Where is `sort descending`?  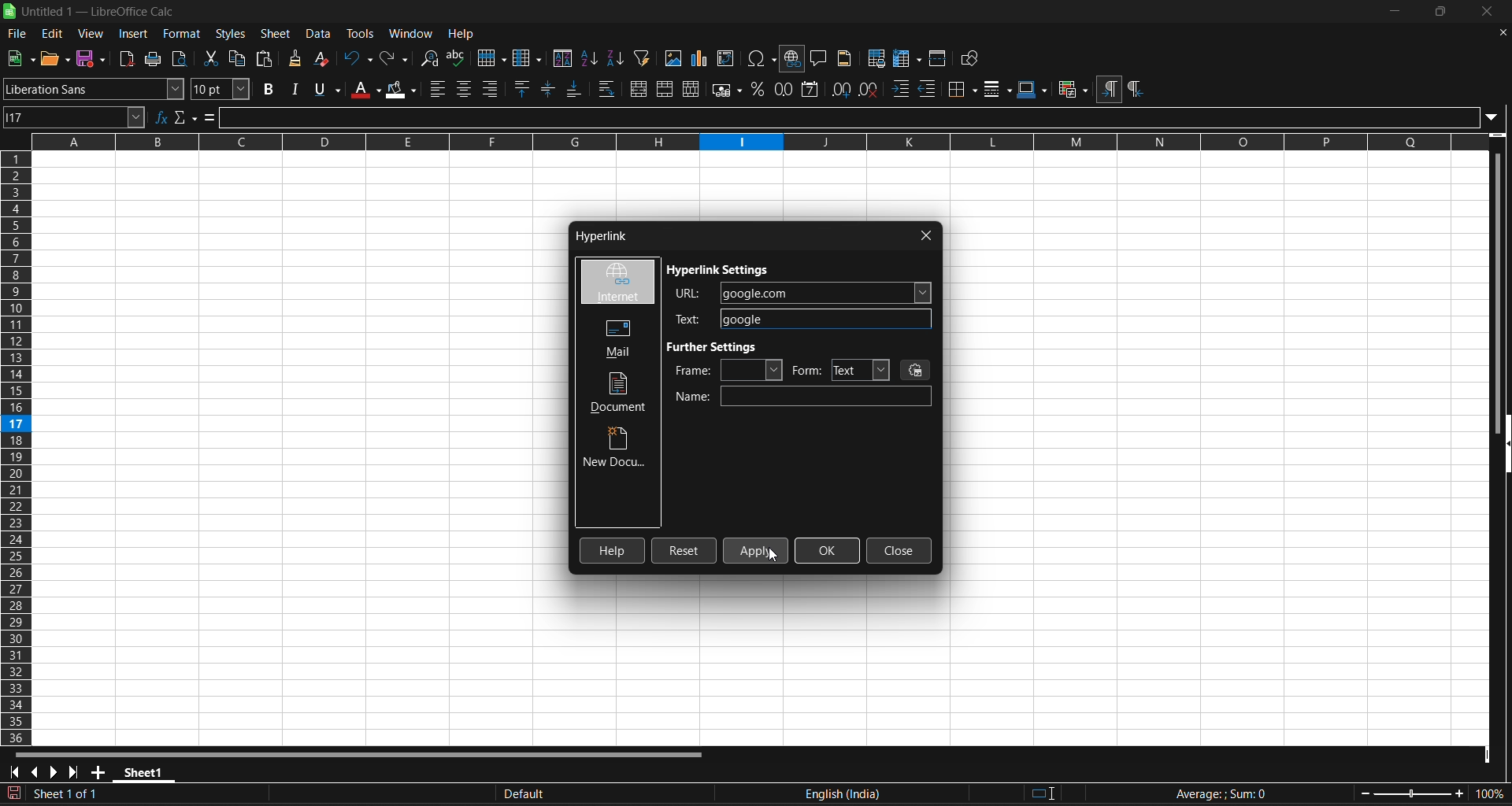 sort descending is located at coordinates (617, 57).